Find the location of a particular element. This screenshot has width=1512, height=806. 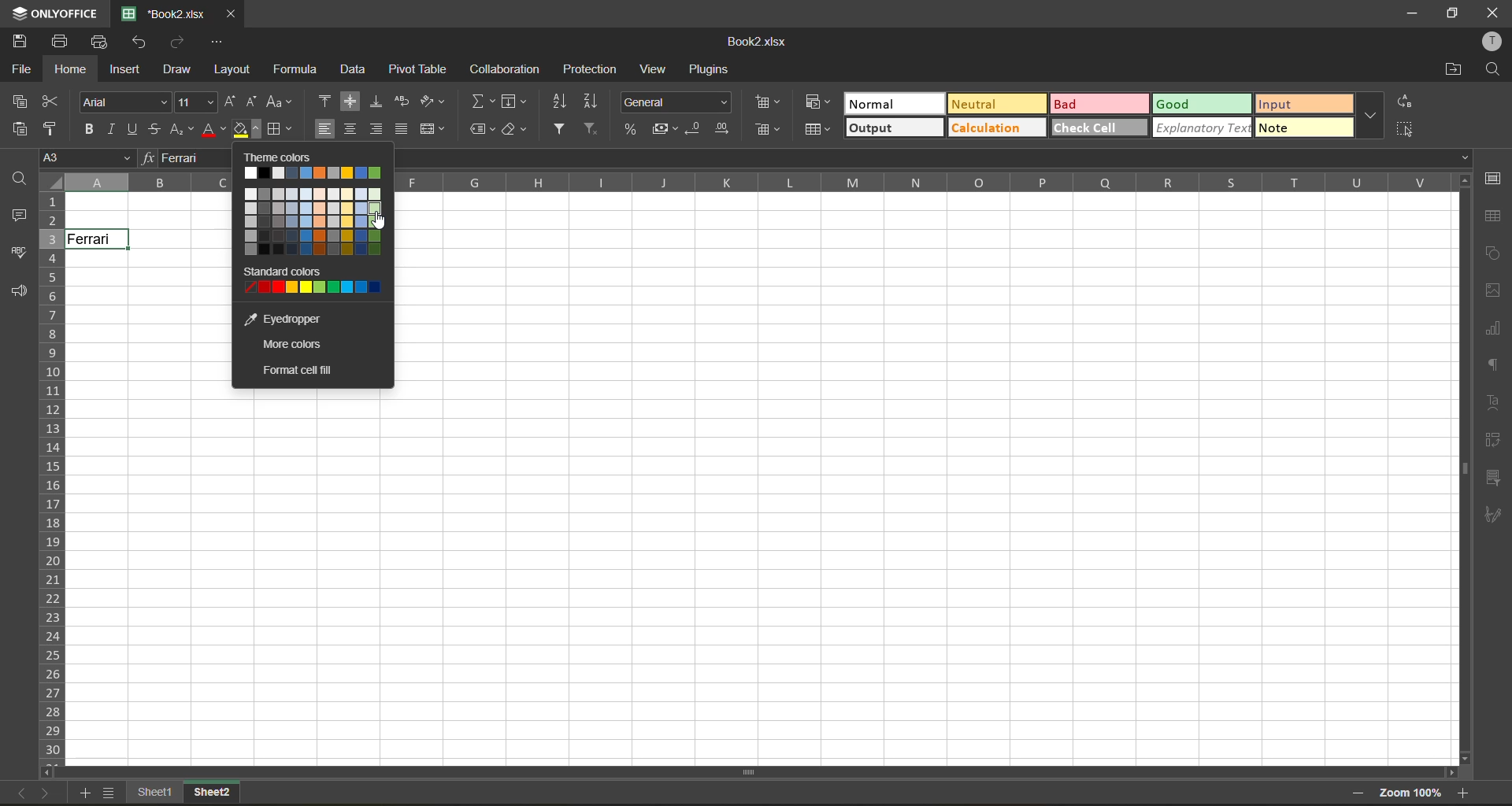

protection is located at coordinates (591, 68).